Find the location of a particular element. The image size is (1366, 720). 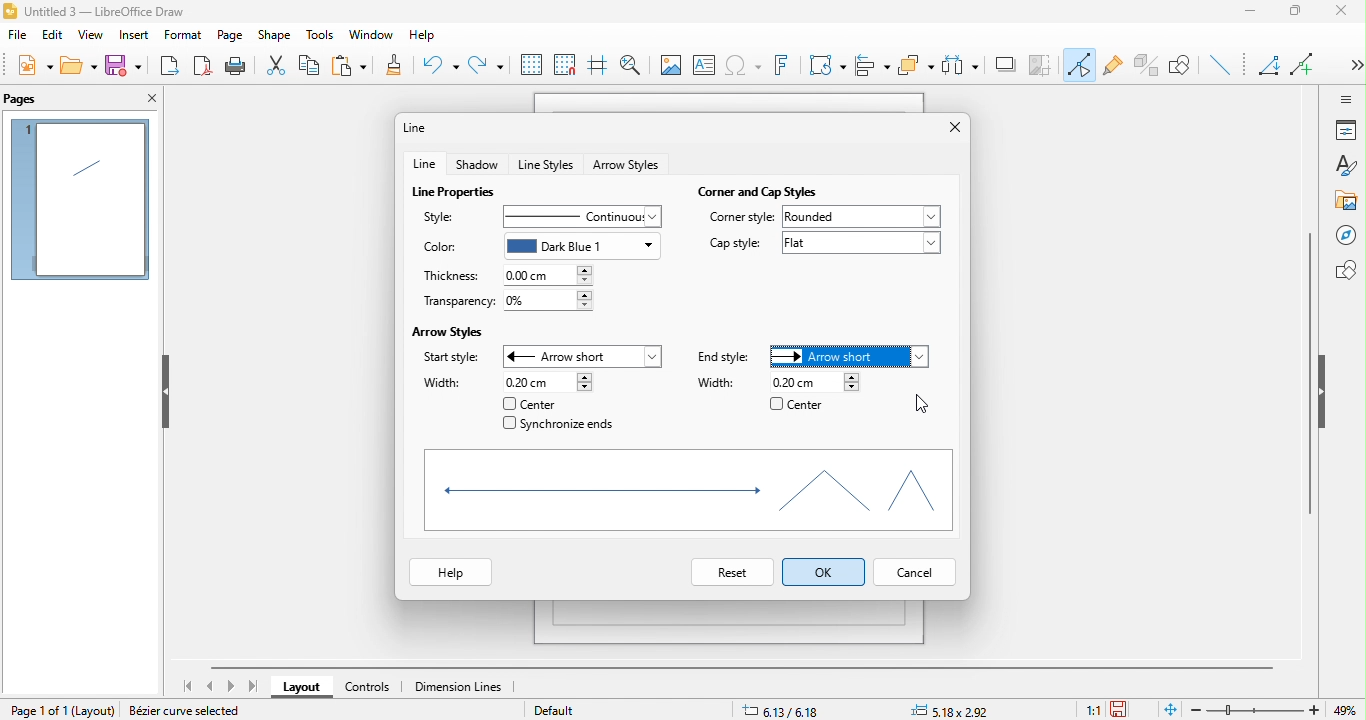

edit is located at coordinates (53, 38).